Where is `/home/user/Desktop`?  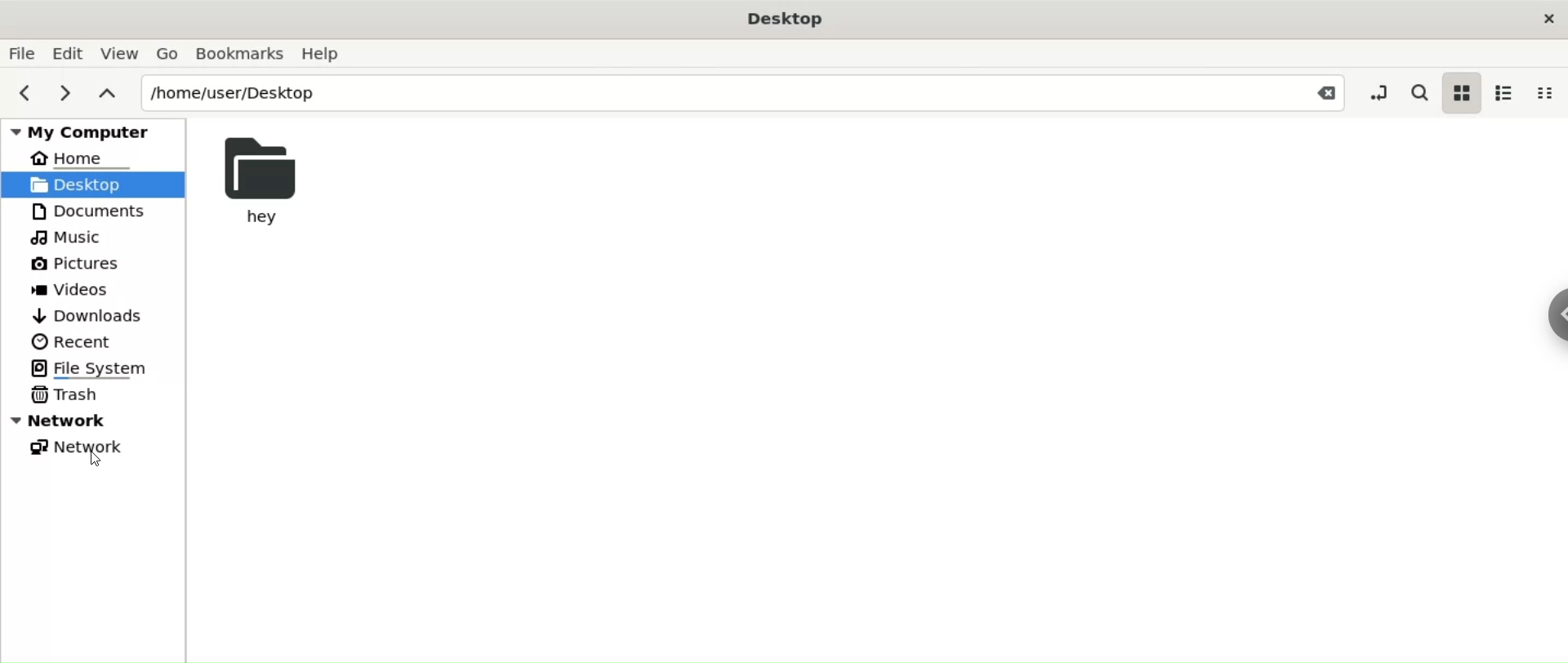
/home/user/Desktop is located at coordinates (695, 91).